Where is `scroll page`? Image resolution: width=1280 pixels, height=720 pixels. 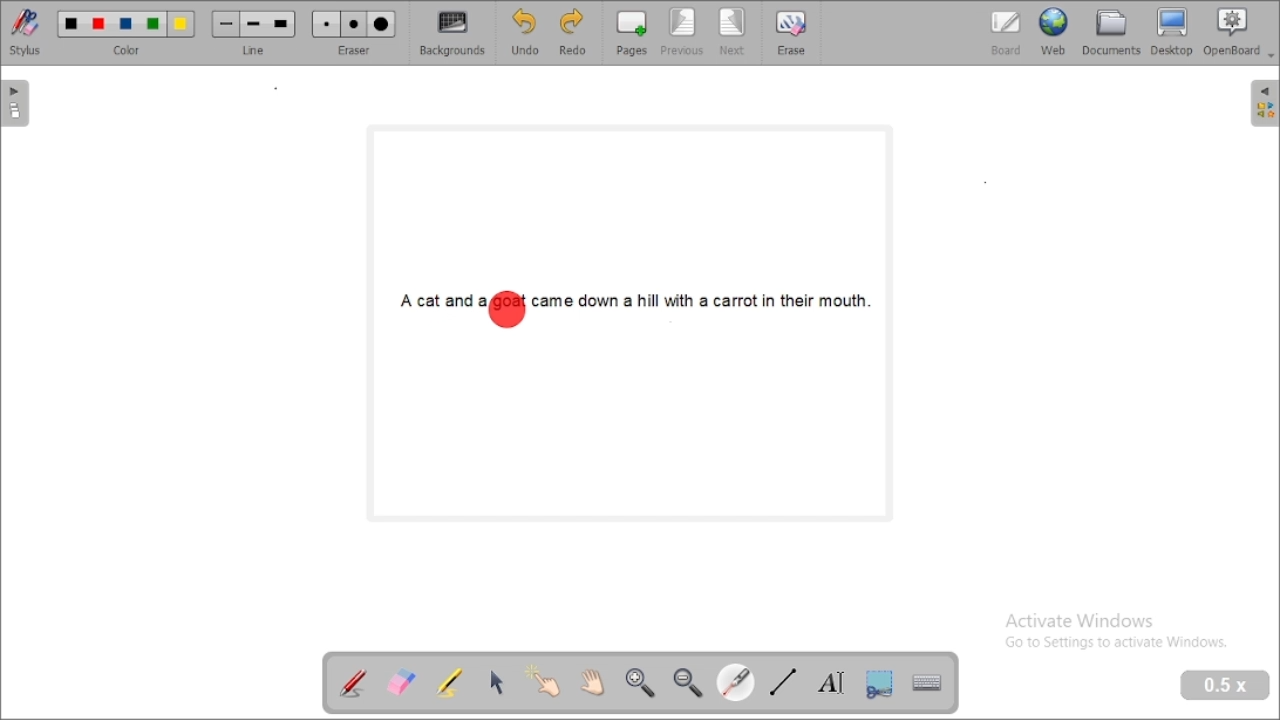
scroll page is located at coordinates (593, 683).